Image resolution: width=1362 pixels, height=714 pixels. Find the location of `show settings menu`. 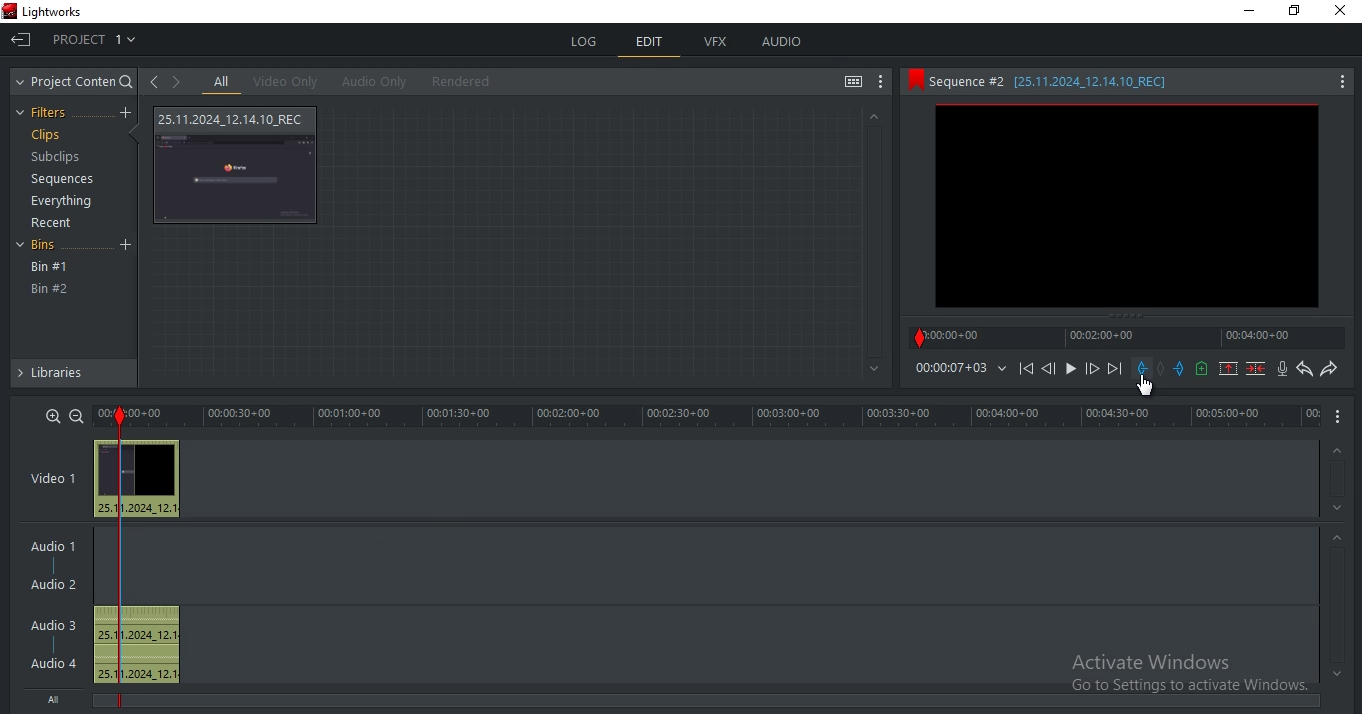

show settings menu is located at coordinates (882, 84).